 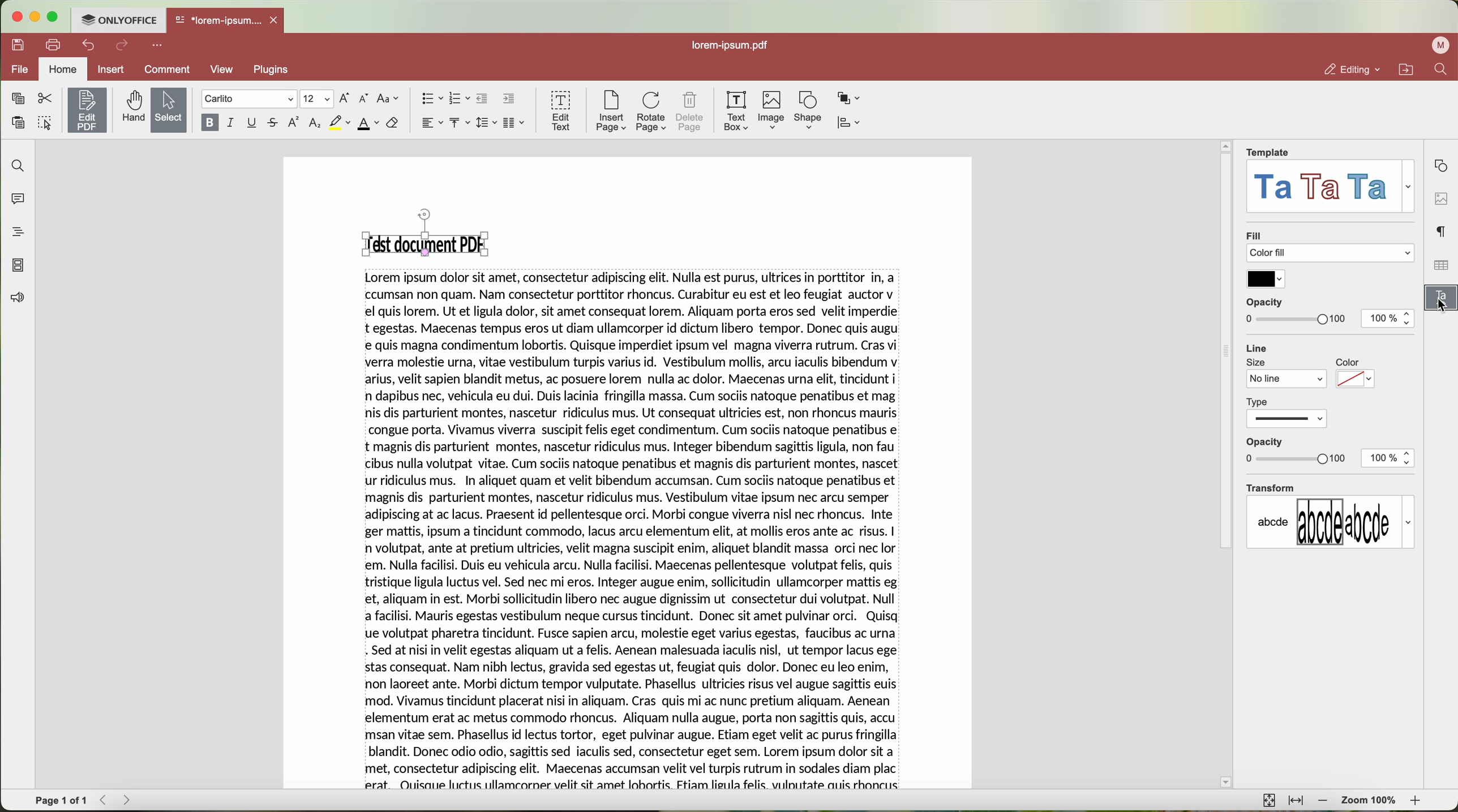 I want to click on comment, so click(x=169, y=69).